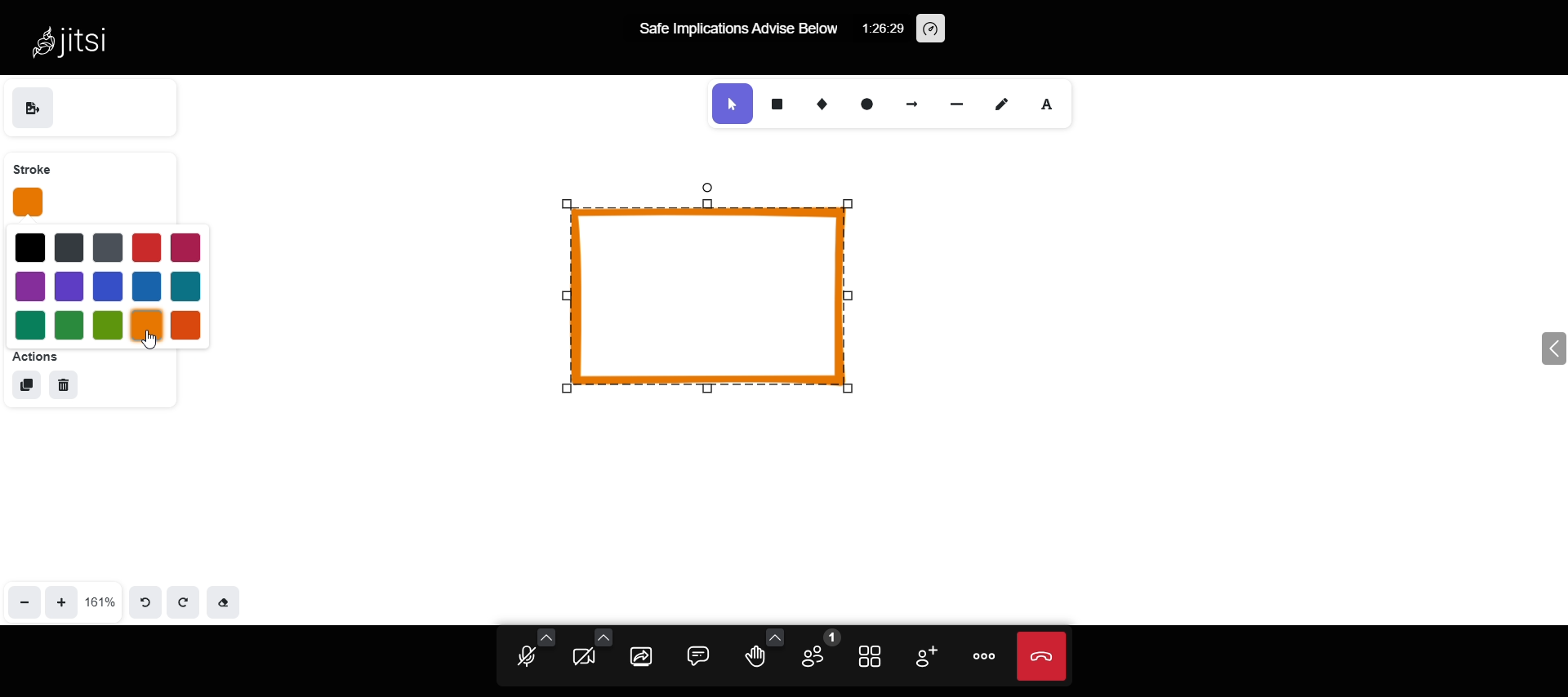 Image resolution: width=1568 pixels, height=697 pixels. What do you see at coordinates (731, 102) in the screenshot?
I see `selection` at bounding box center [731, 102].